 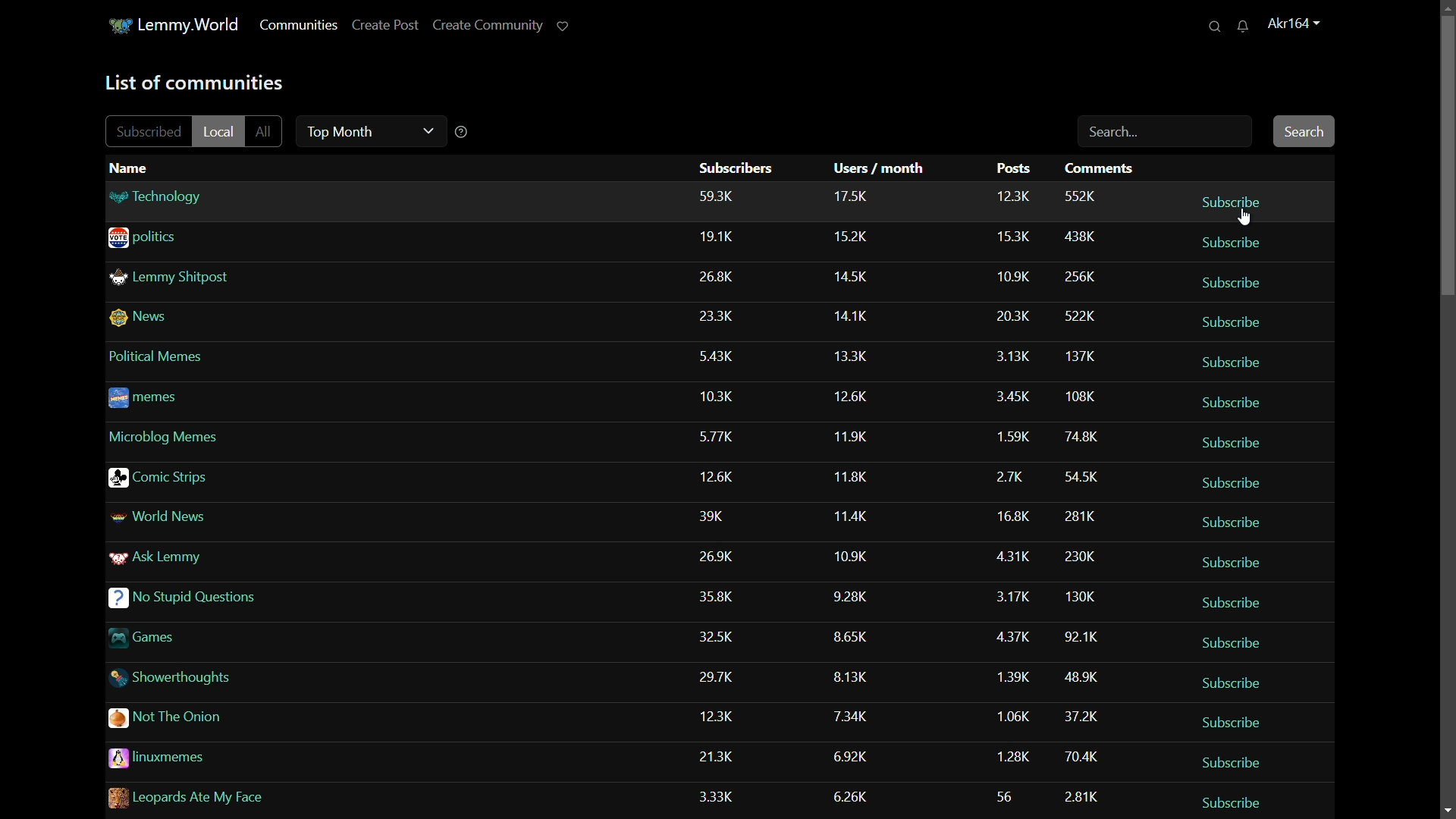 I want to click on subscribe/unsubscribe, so click(x=1232, y=403).